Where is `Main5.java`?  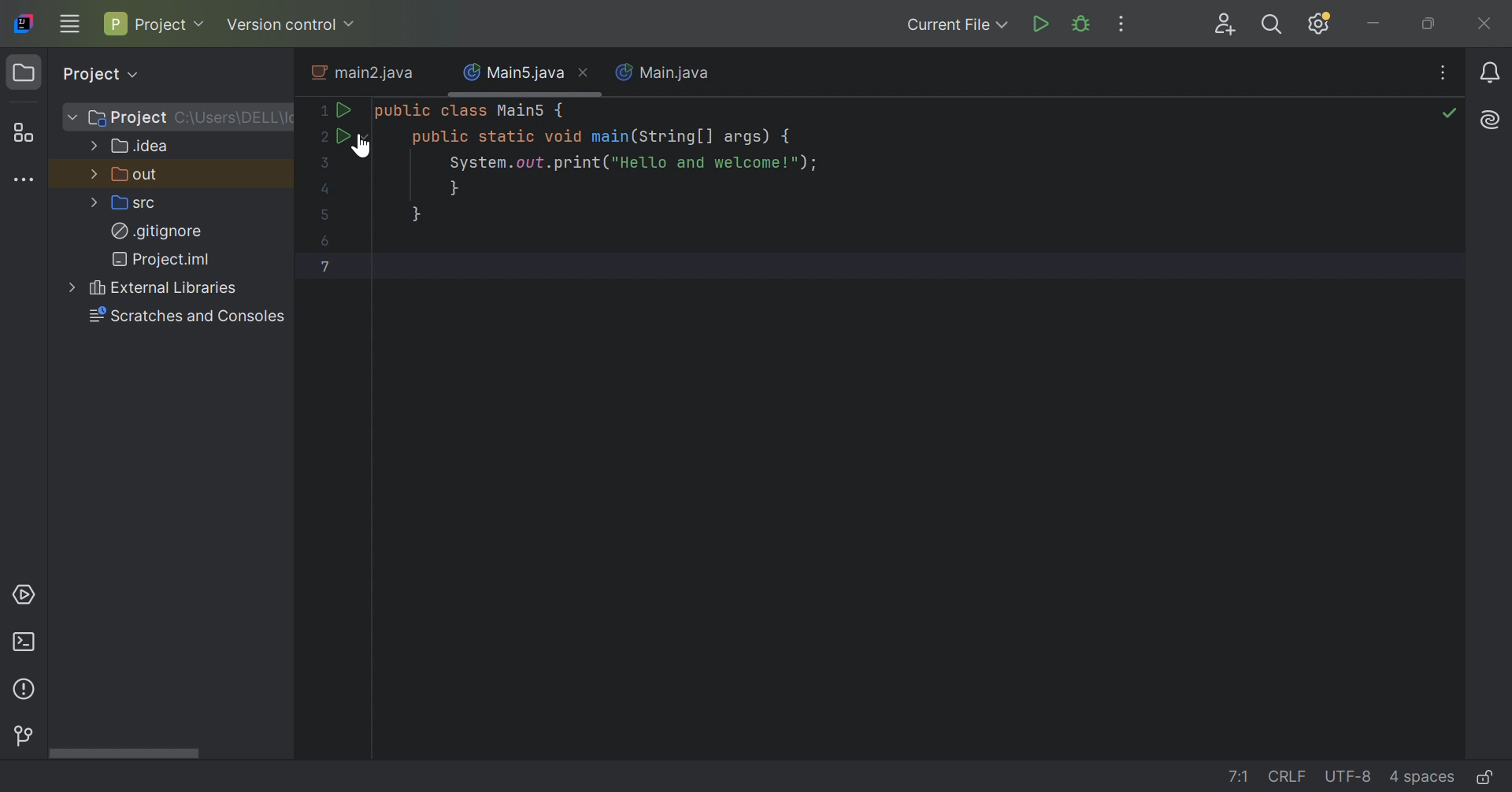
Main5.java is located at coordinates (509, 72).